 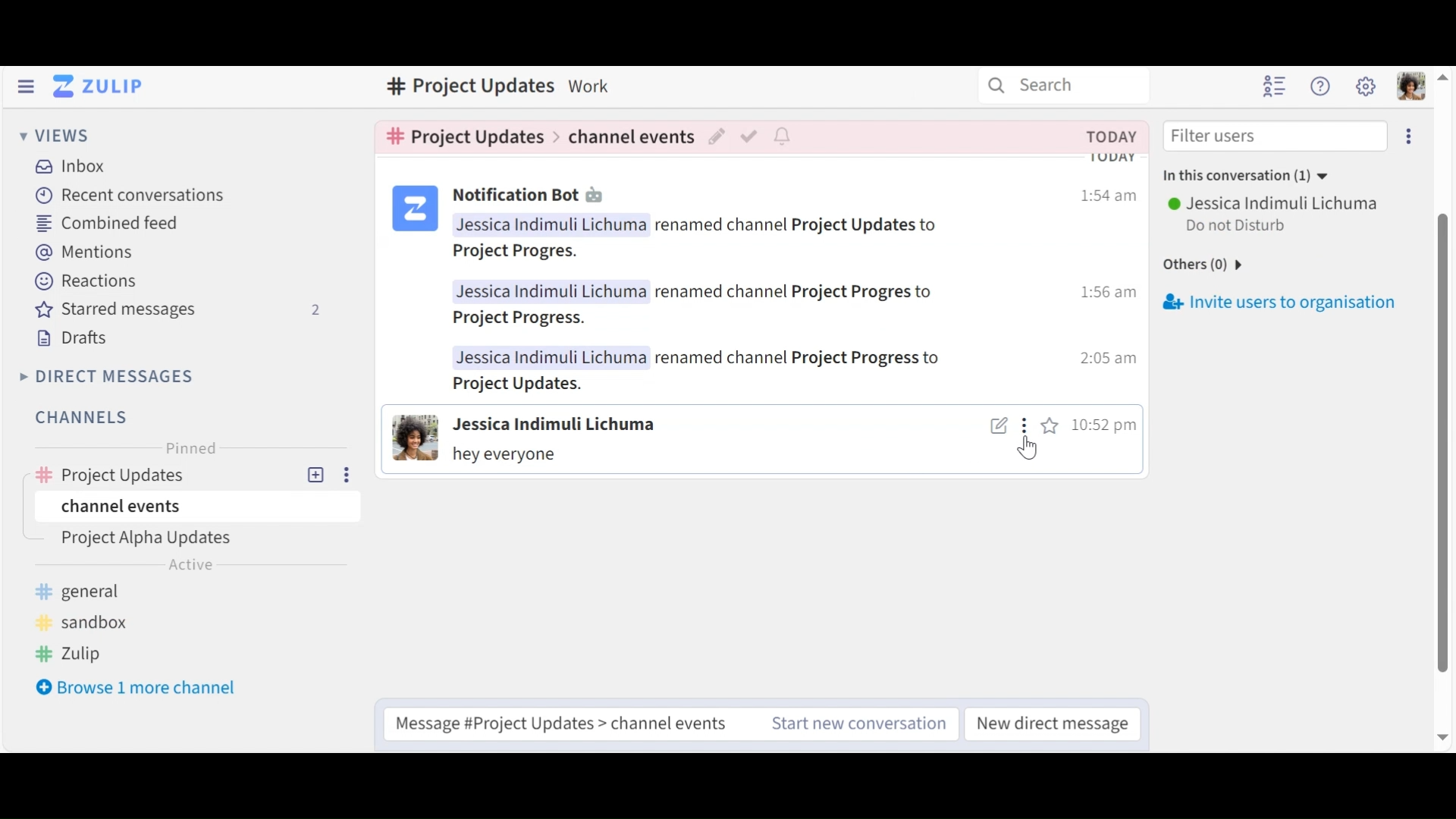 I want to click on Recent Conversations, so click(x=130, y=194).